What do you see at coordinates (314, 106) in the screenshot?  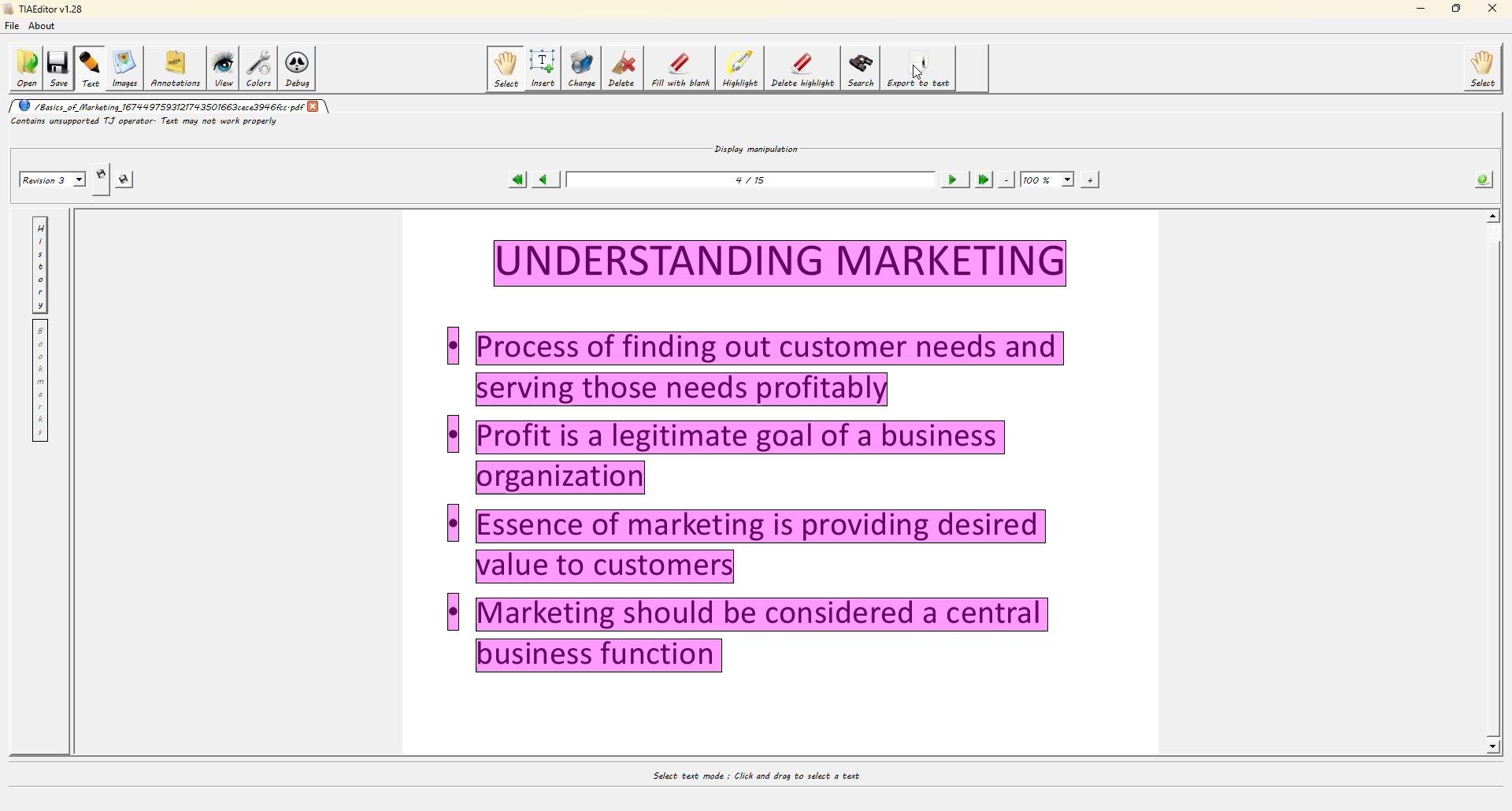 I see `close` at bounding box center [314, 106].